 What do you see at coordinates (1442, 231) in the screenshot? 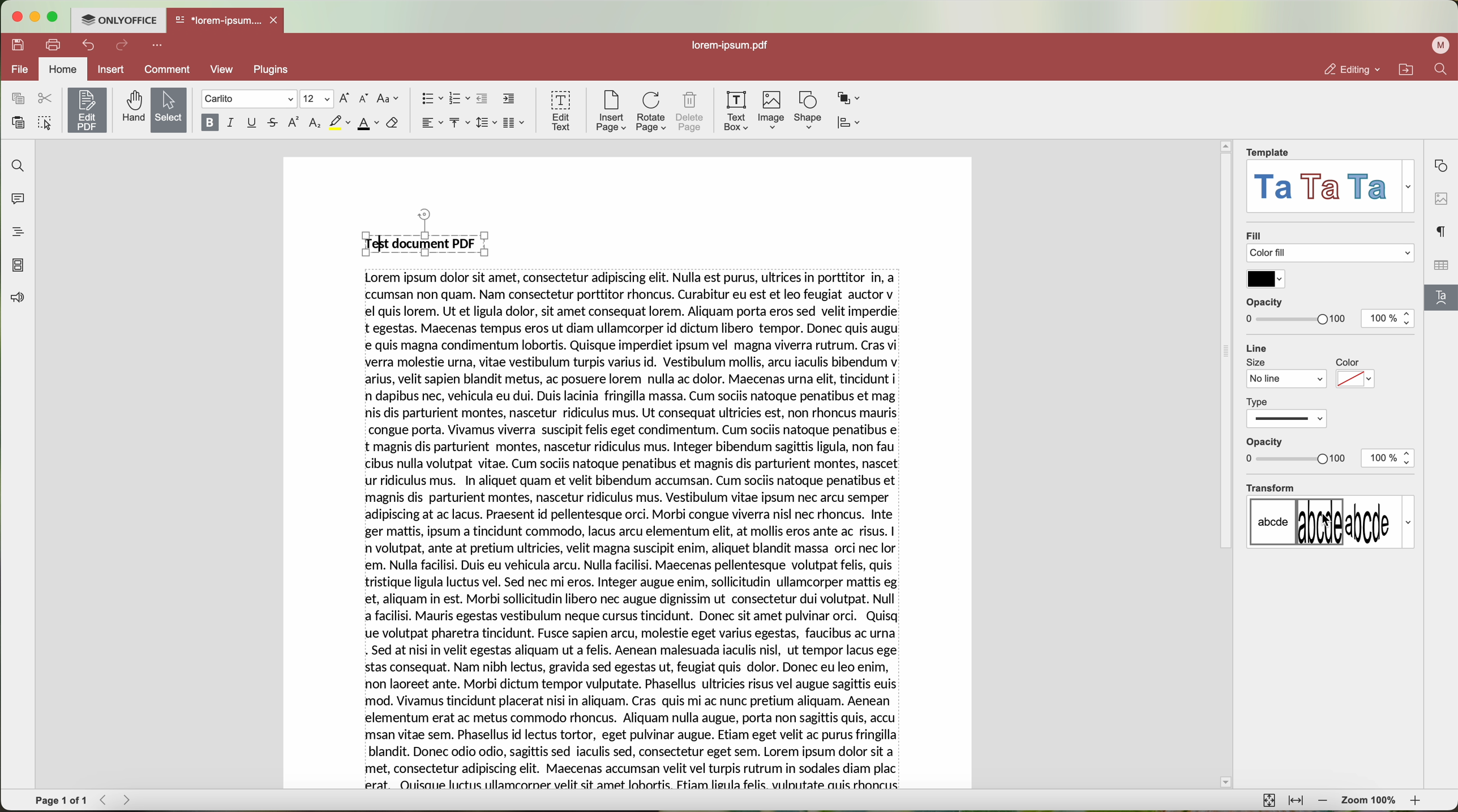
I see `paragraph settings` at bounding box center [1442, 231].